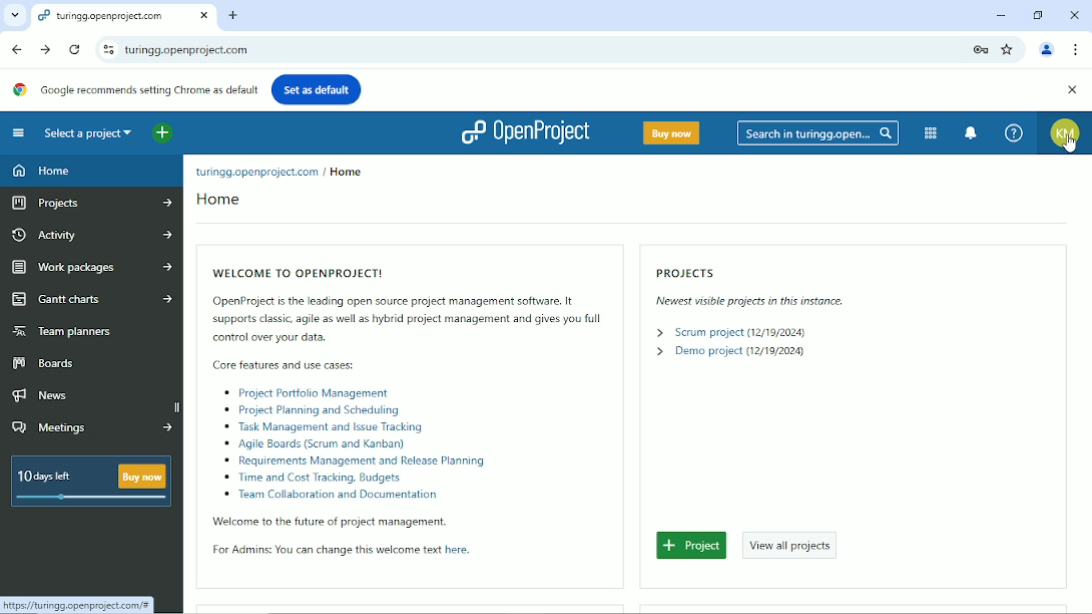 The height and width of the screenshot is (614, 1092). What do you see at coordinates (1074, 13) in the screenshot?
I see `Close` at bounding box center [1074, 13].